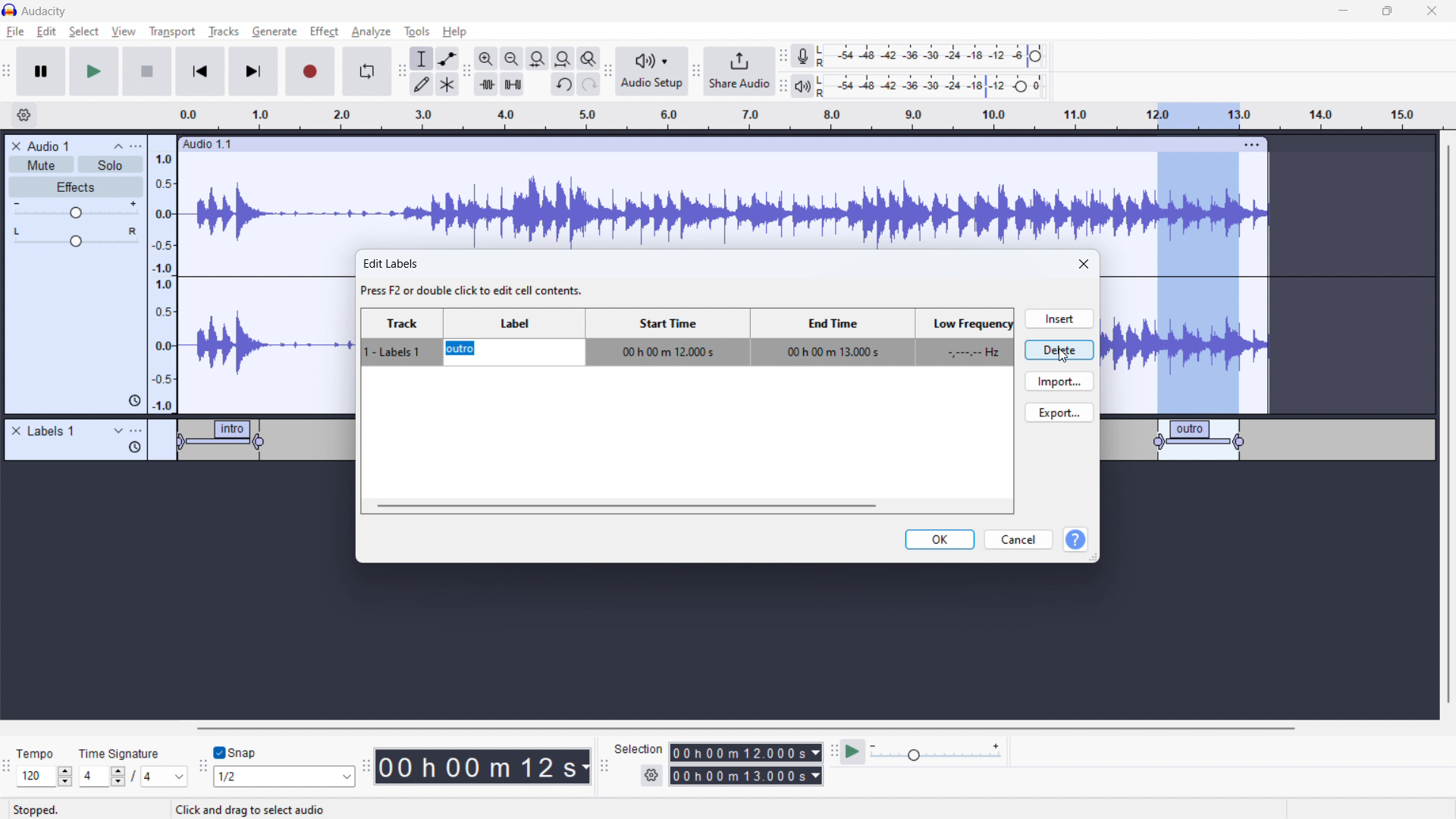  Describe the element at coordinates (1059, 381) in the screenshot. I see `import` at that location.